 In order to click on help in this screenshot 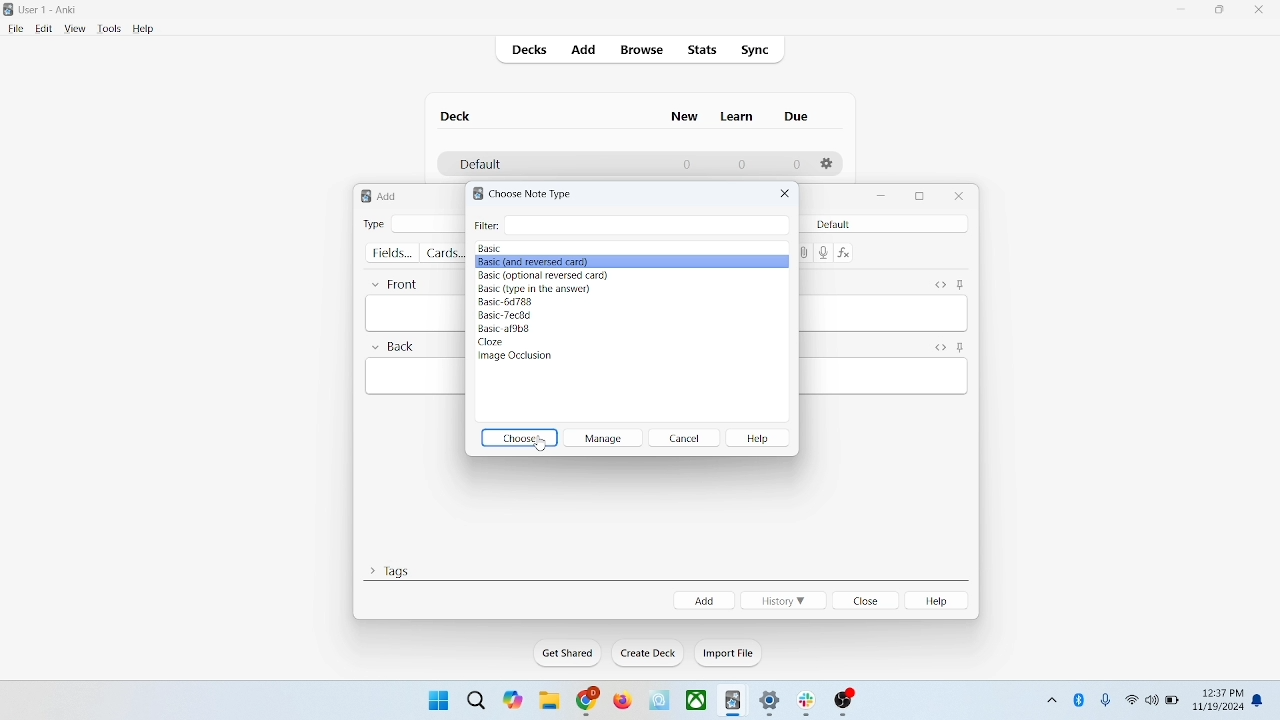, I will do `click(940, 601)`.